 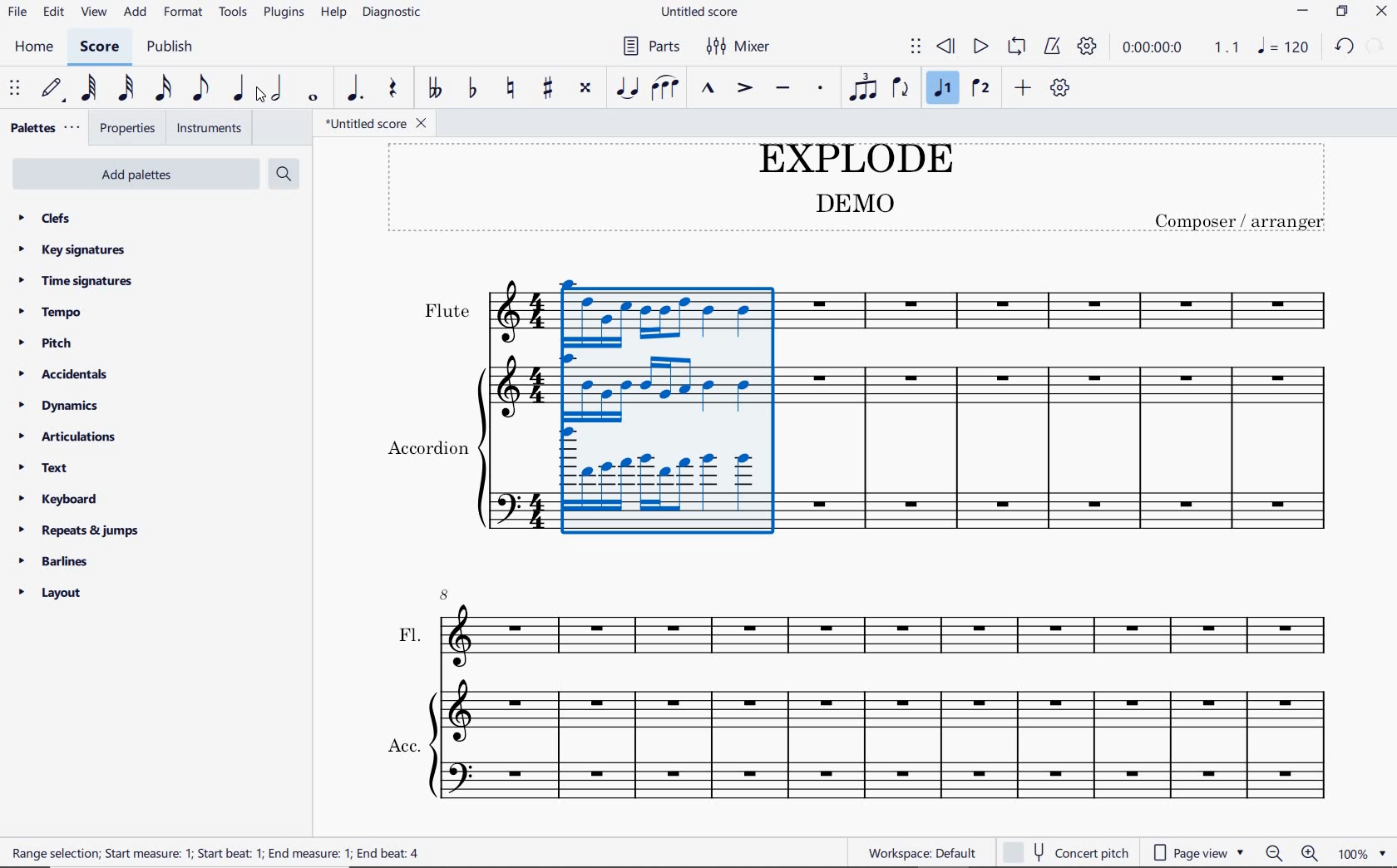 I want to click on file name, so click(x=377, y=125).